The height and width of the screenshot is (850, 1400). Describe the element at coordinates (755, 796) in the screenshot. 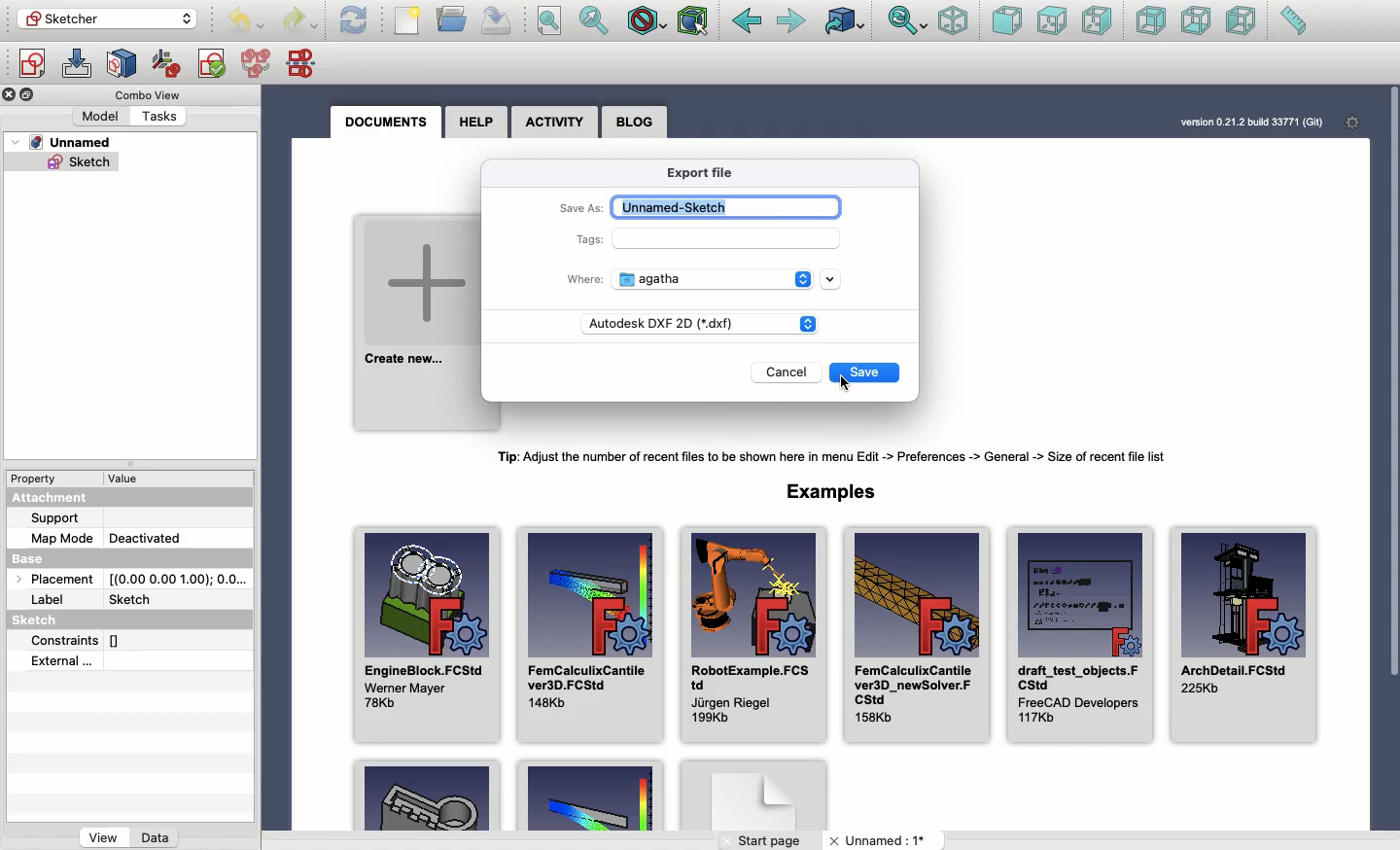

I see `Example 3` at that location.